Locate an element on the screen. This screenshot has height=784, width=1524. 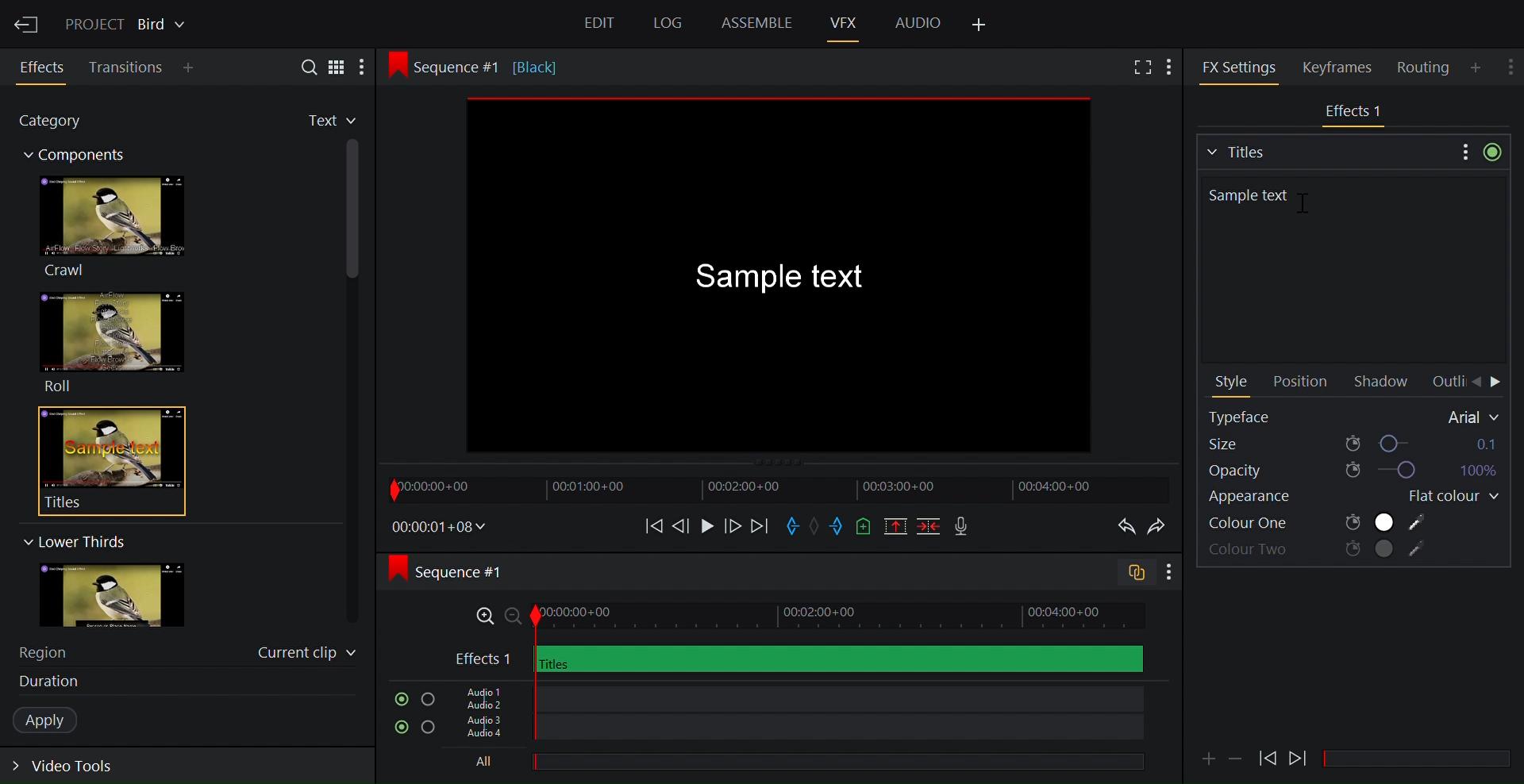
Nudge one frame forward is located at coordinates (731, 525).